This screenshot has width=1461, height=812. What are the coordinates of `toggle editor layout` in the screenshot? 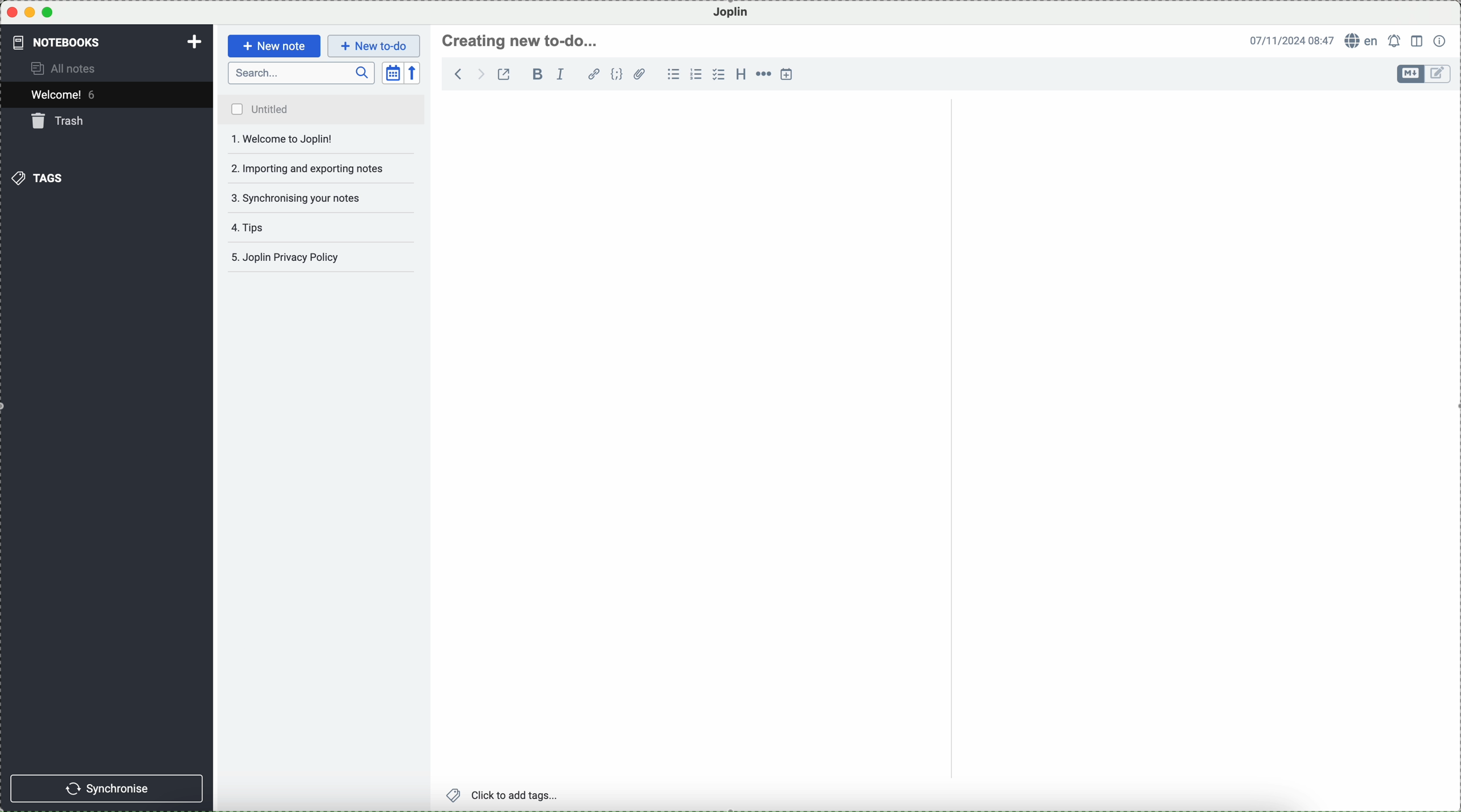 It's located at (1418, 41).